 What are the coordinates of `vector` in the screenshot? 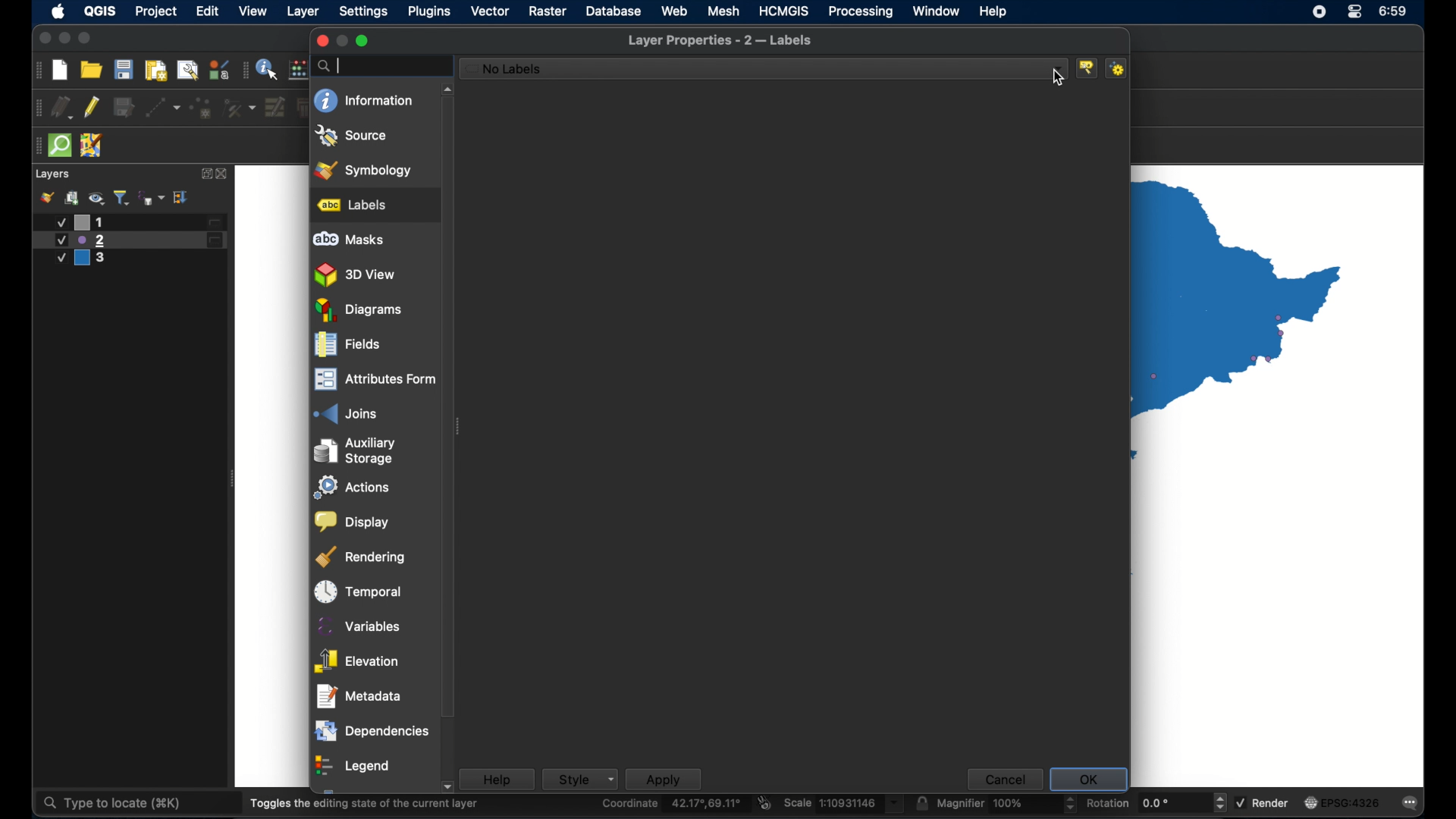 It's located at (489, 11).